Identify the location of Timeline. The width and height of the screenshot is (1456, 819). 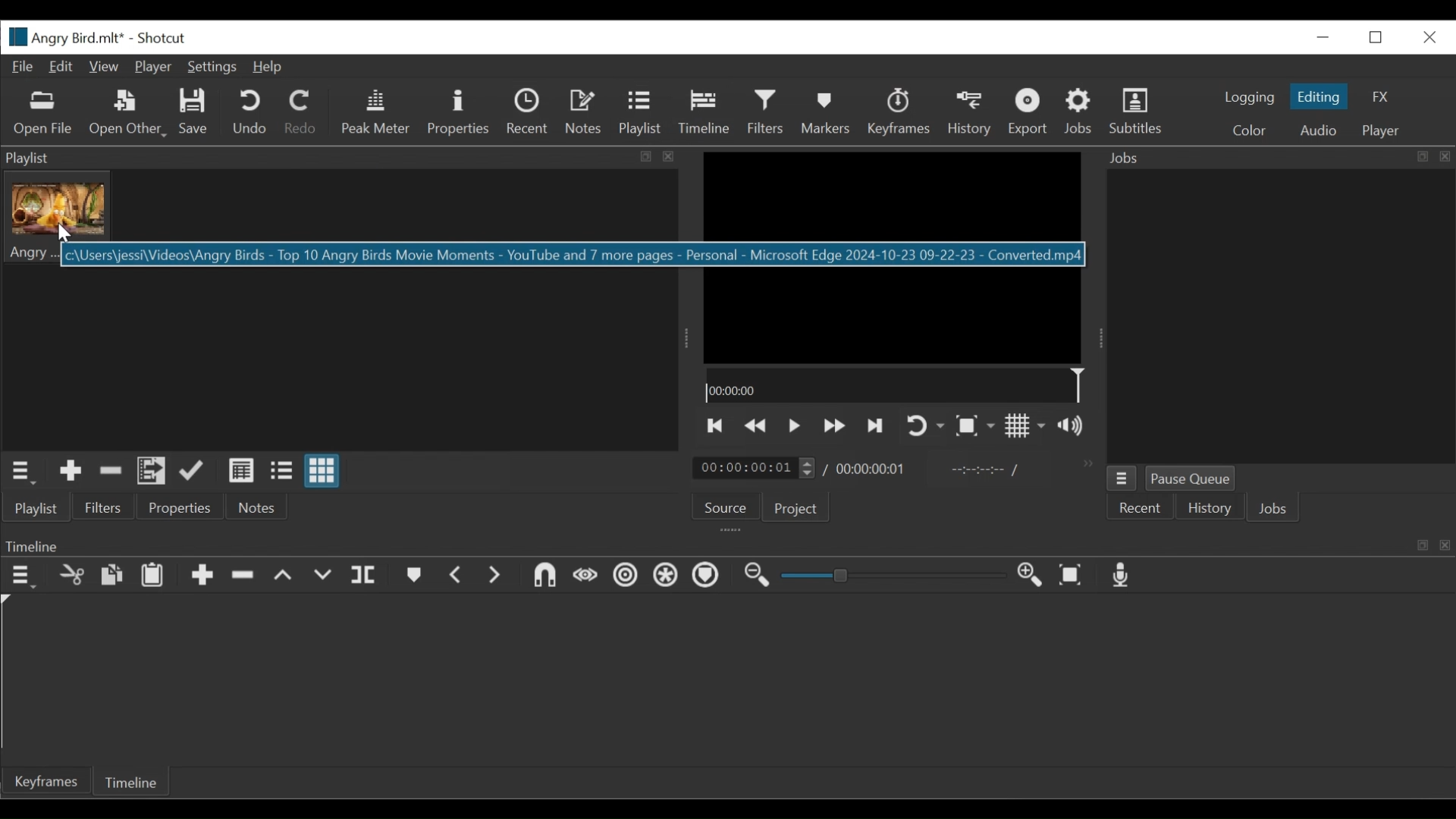
(899, 387).